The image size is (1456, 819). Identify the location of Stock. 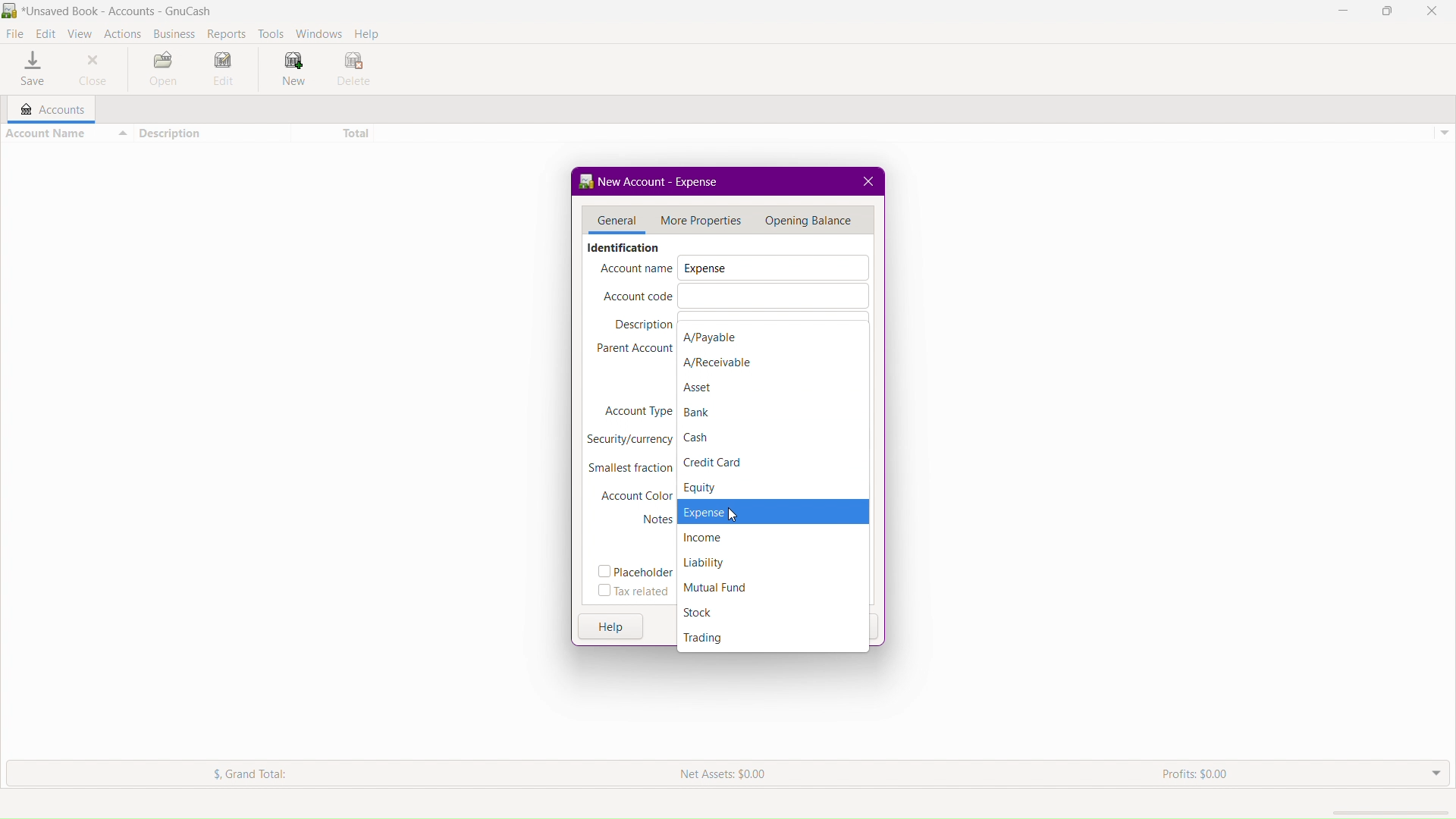
(700, 611).